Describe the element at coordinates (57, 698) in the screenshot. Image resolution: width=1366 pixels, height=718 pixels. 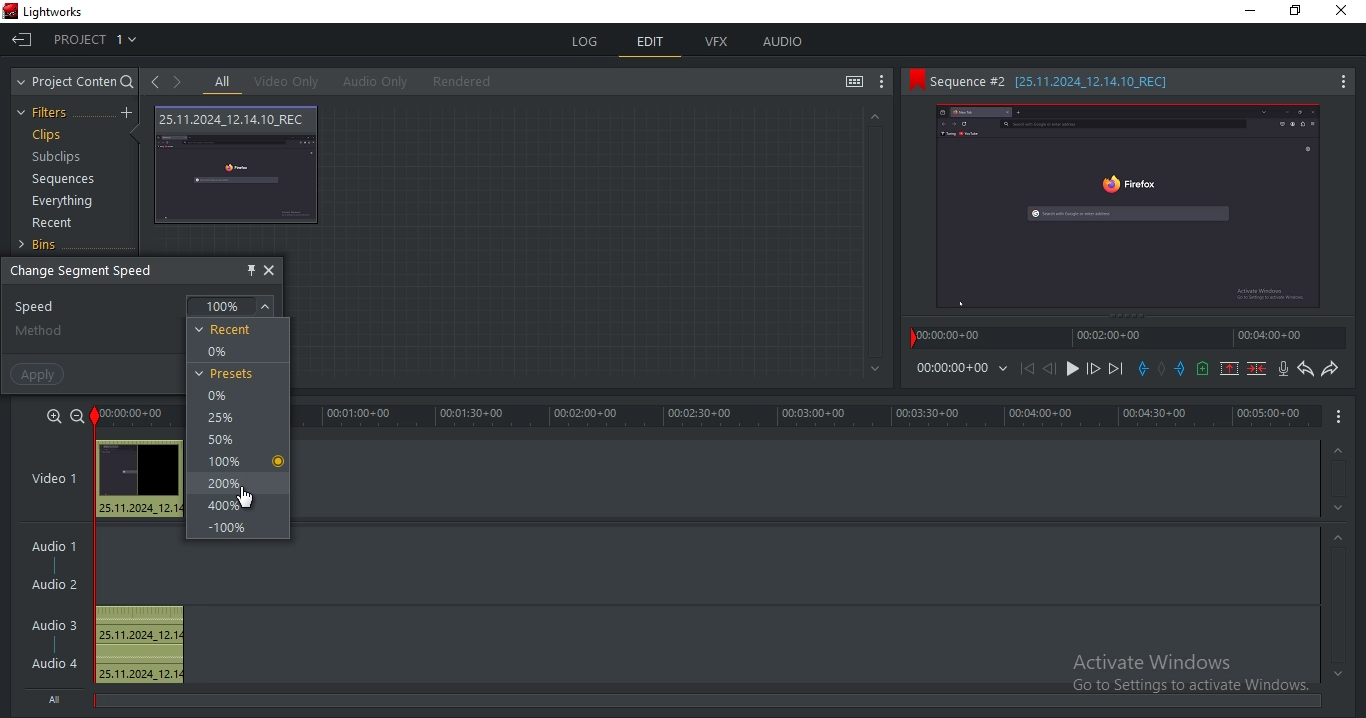
I see `all` at that location.